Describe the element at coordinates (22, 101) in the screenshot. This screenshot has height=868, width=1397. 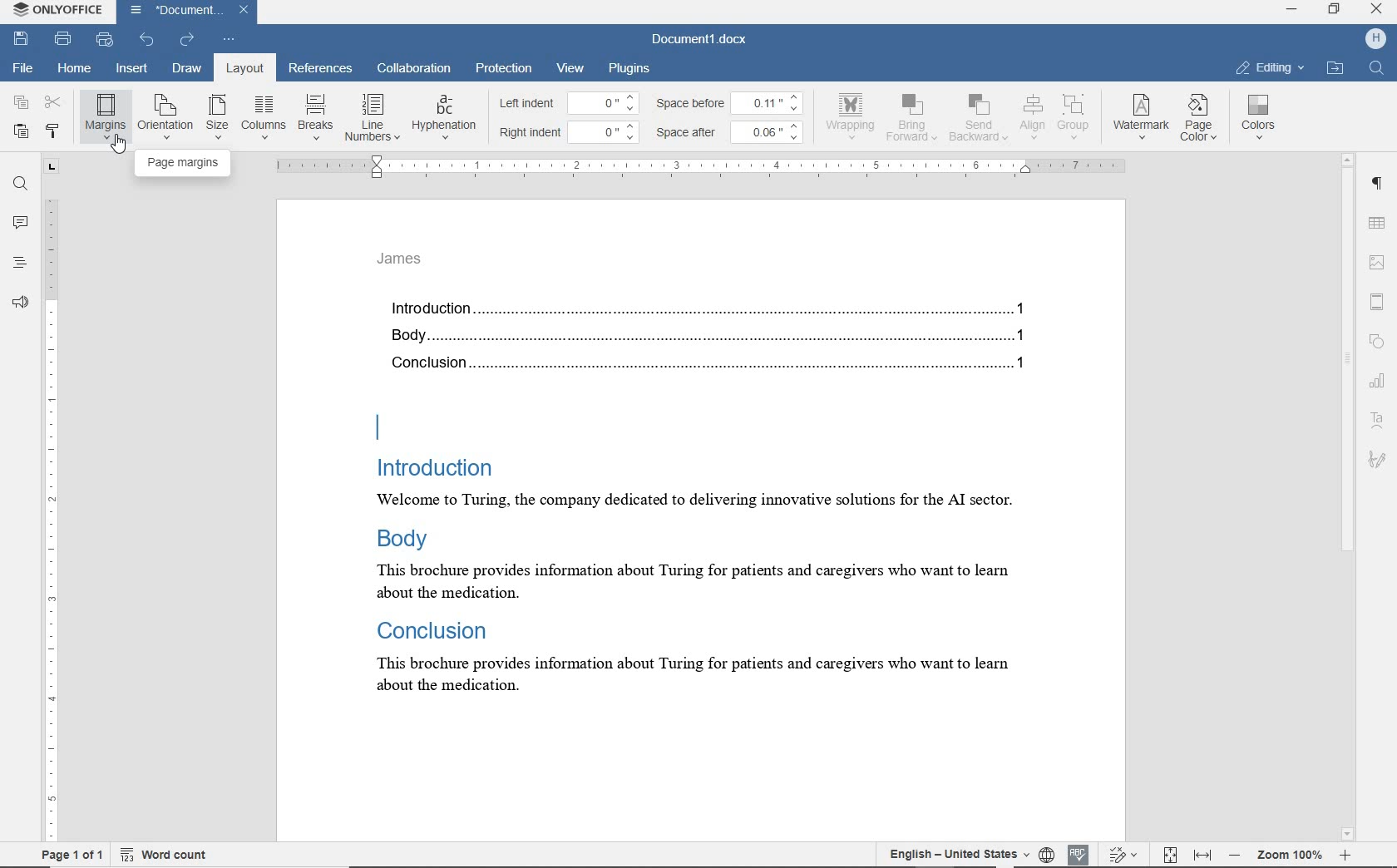
I see `copy` at that location.